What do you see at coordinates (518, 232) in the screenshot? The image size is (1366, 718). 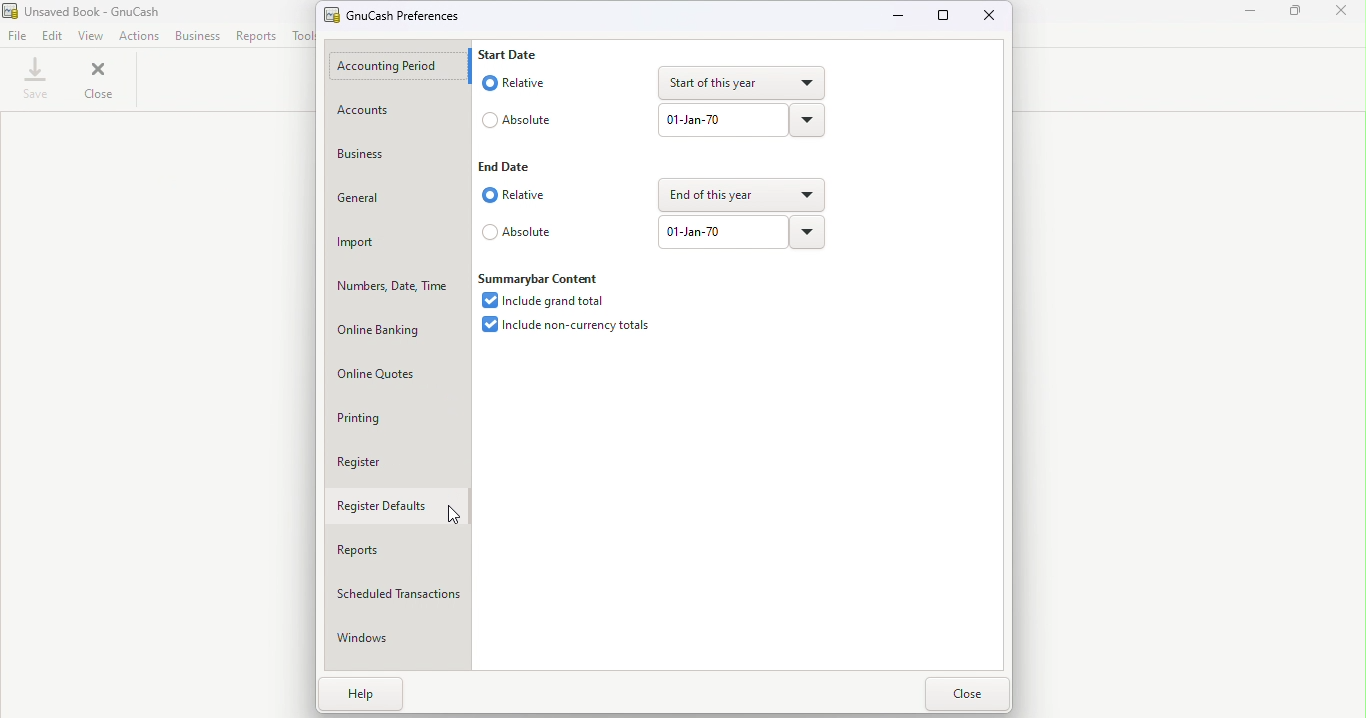 I see `Absolutely` at bounding box center [518, 232].